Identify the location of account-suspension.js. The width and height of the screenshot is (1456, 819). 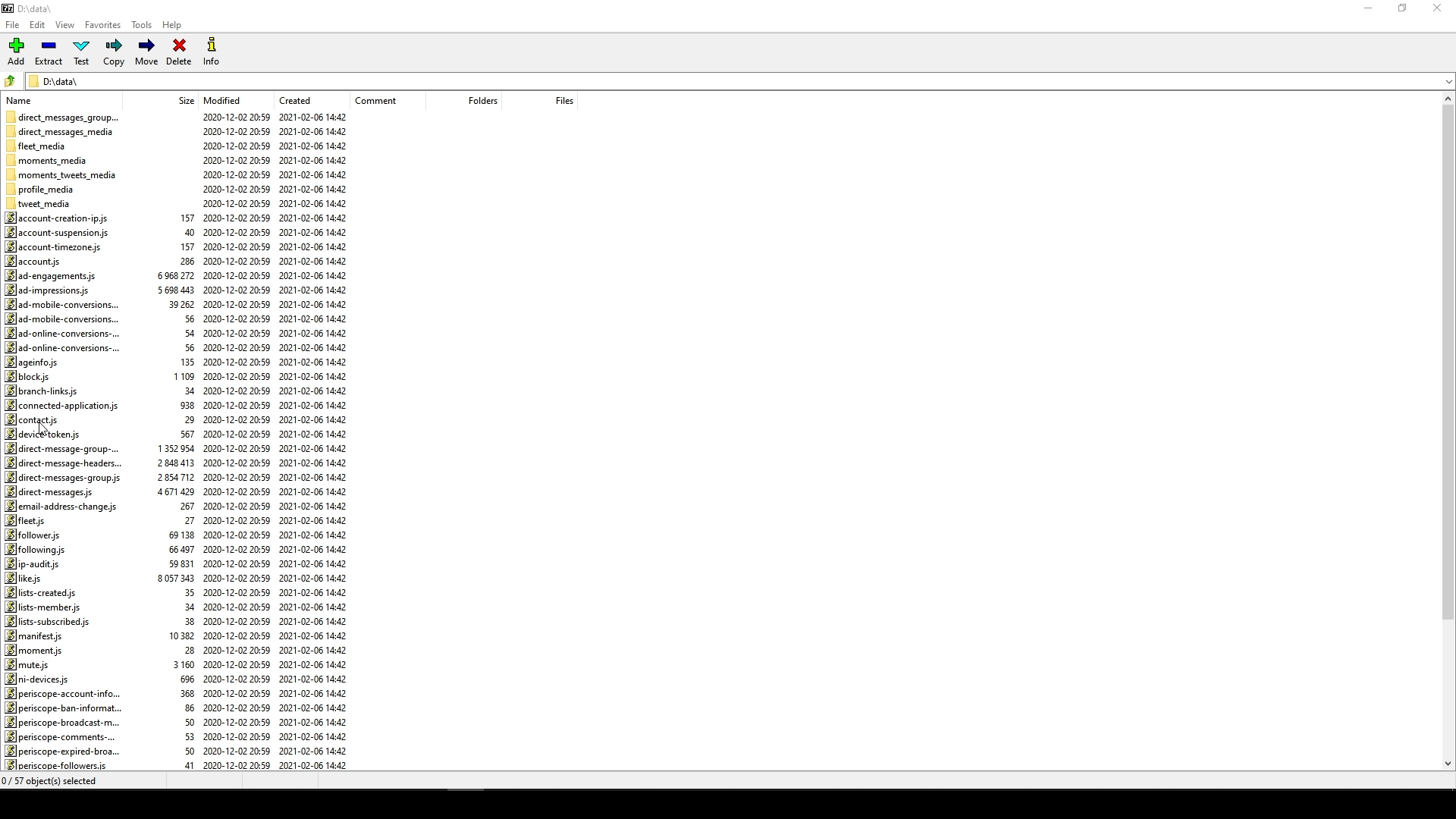
(58, 231).